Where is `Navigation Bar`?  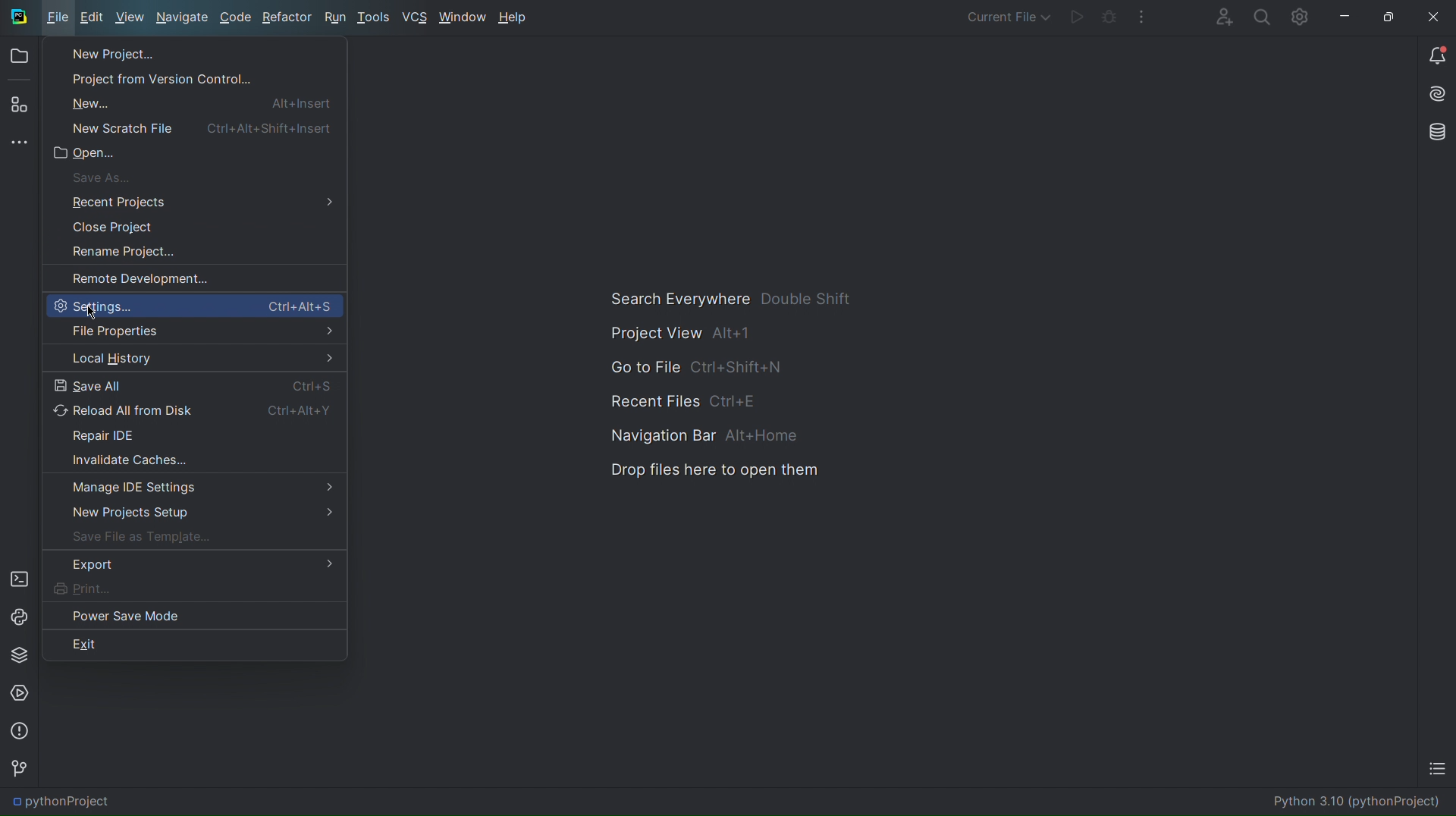
Navigation Bar is located at coordinates (698, 437).